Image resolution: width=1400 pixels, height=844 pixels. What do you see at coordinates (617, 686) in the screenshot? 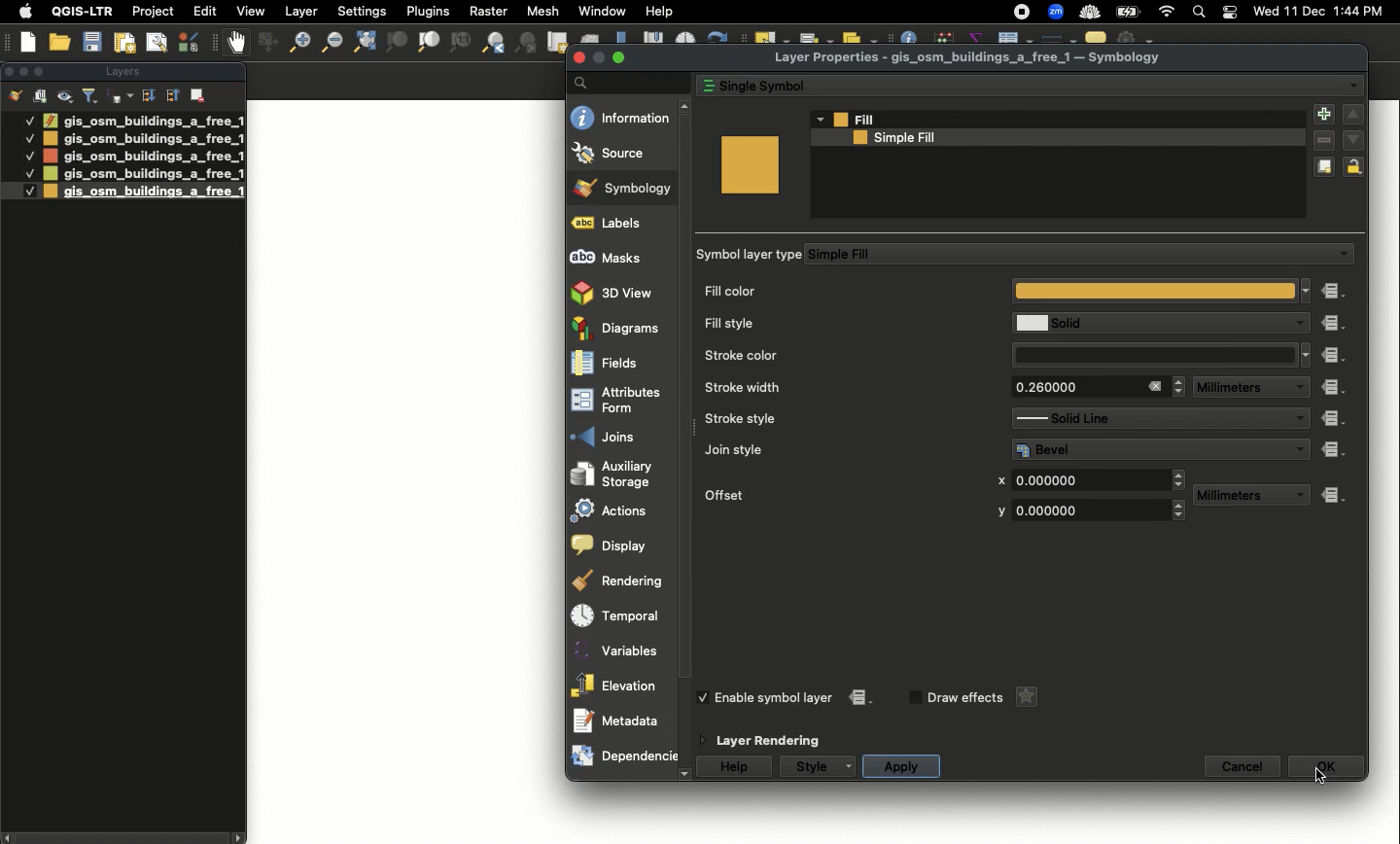
I see `Elevation` at bounding box center [617, 686].